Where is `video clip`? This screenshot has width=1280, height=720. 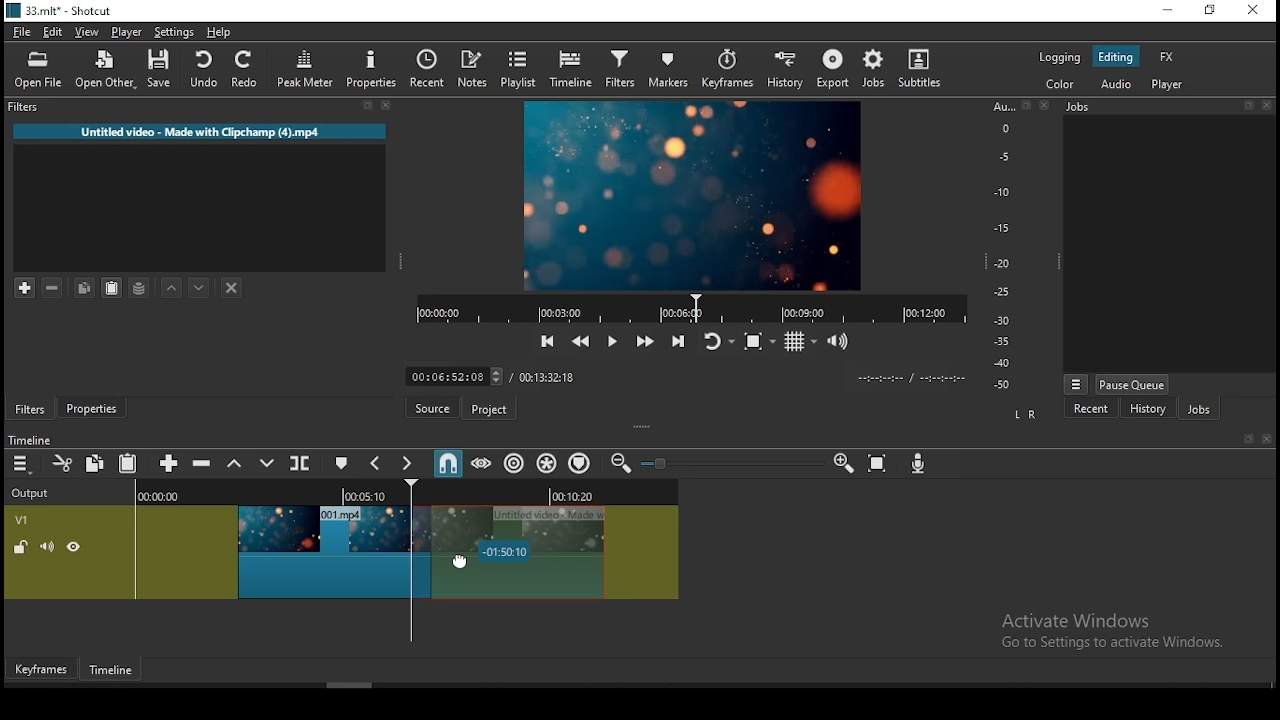 video clip is located at coordinates (336, 552).